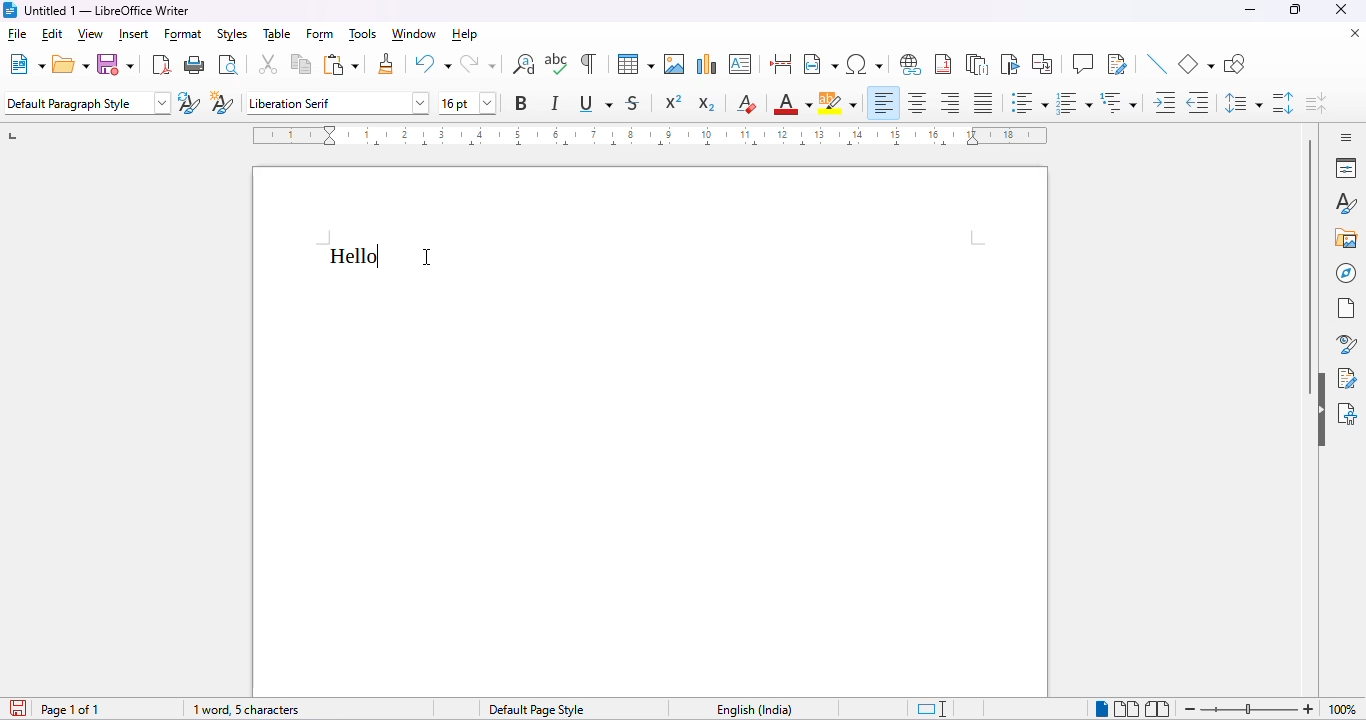  What do you see at coordinates (707, 64) in the screenshot?
I see `insert chart` at bounding box center [707, 64].